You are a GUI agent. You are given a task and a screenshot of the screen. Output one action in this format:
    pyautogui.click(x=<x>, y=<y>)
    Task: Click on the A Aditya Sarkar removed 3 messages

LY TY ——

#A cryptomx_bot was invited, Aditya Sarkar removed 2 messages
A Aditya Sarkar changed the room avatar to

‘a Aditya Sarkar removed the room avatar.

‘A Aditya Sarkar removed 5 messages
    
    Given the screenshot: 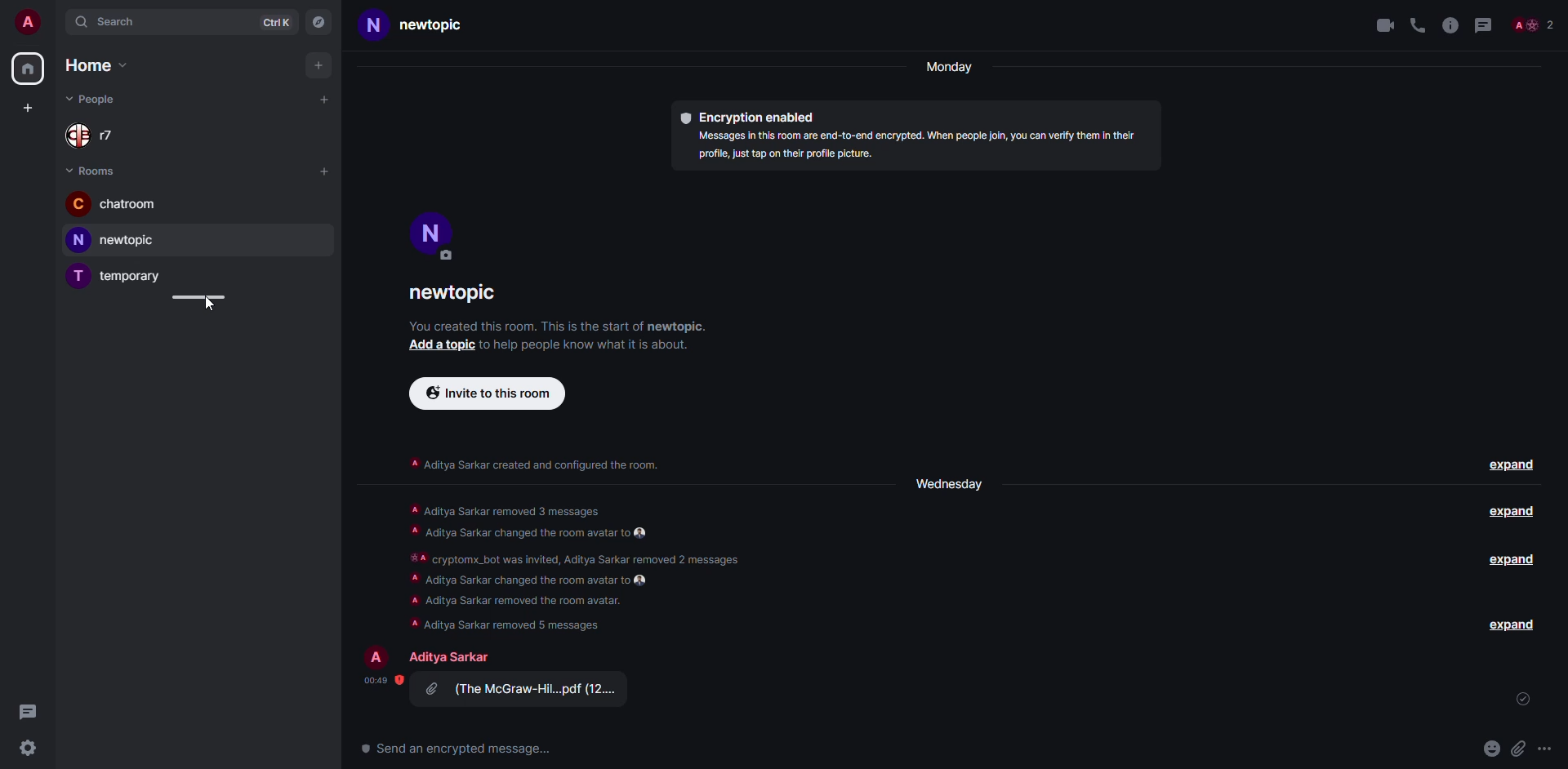 What is the action you would take?
    pyautogui.click(x=576, y=563)
    